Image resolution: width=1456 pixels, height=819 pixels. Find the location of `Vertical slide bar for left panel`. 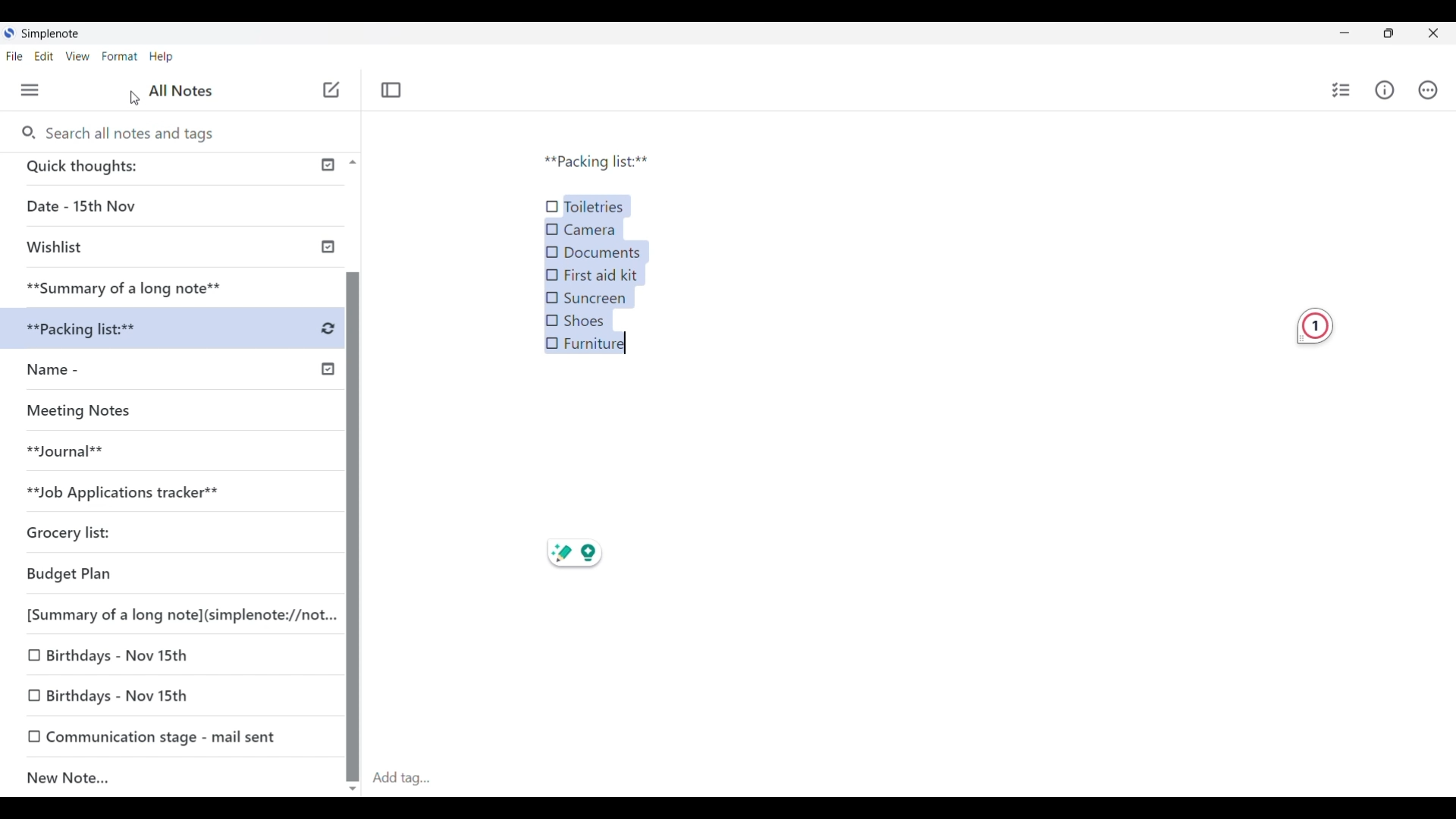

Vertical slide bar for left panel is located at coordinates (353, 513).